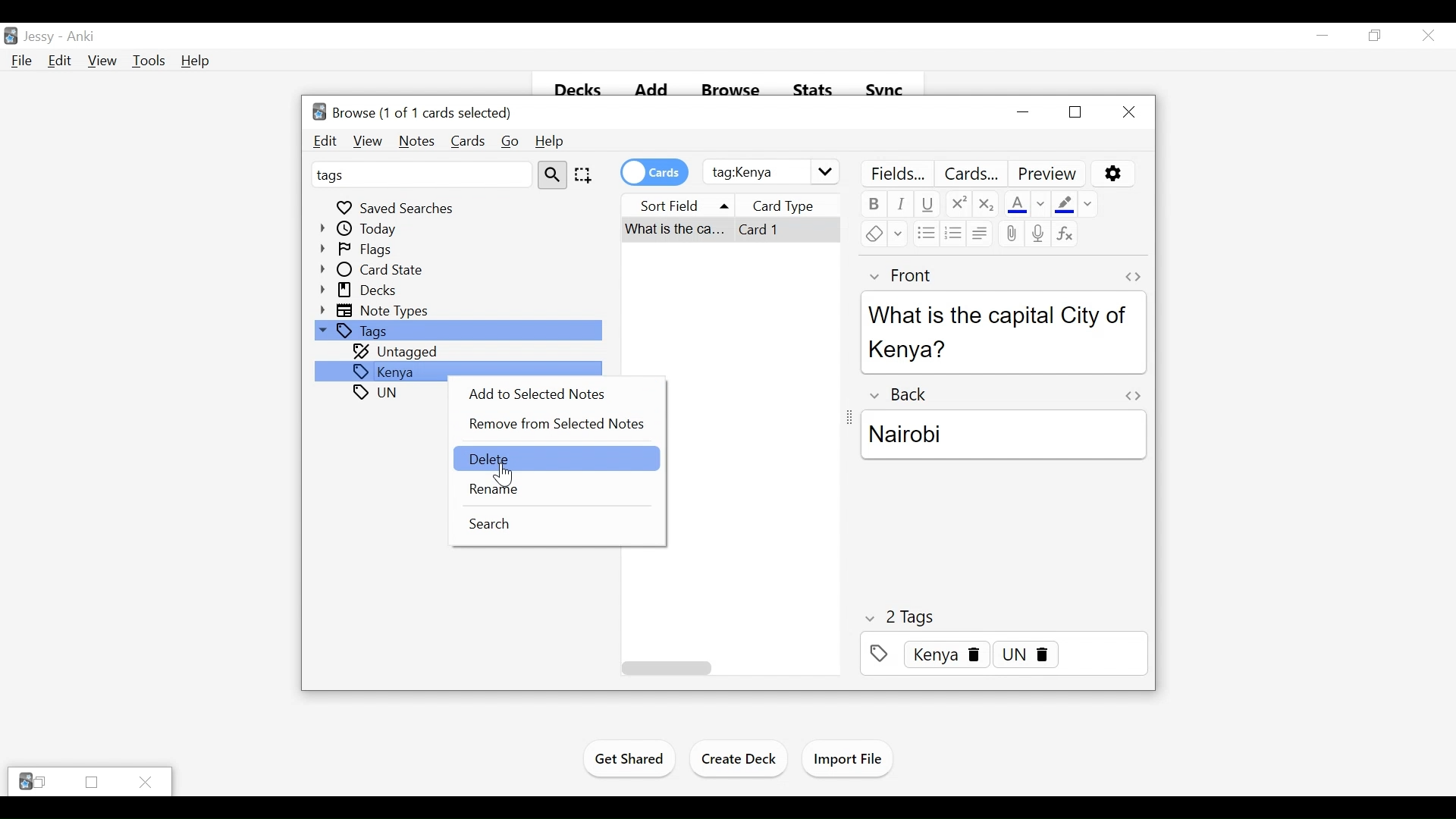 The image size is (1456, 819). Describe the element at coordinates (11, 36) in the screenshot. I see `Anki Desktop Icon` at that location.